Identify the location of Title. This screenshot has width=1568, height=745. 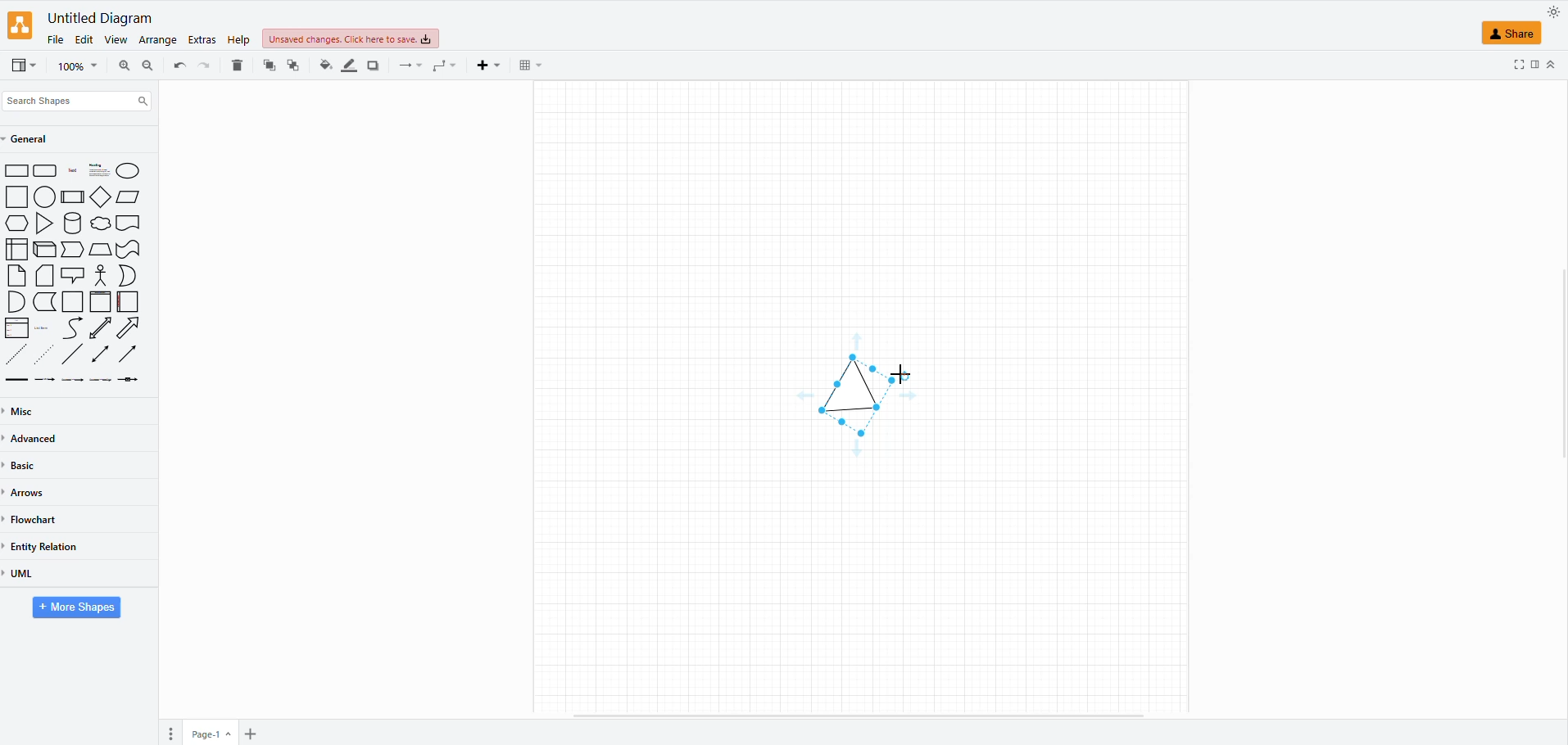
(74, 171).